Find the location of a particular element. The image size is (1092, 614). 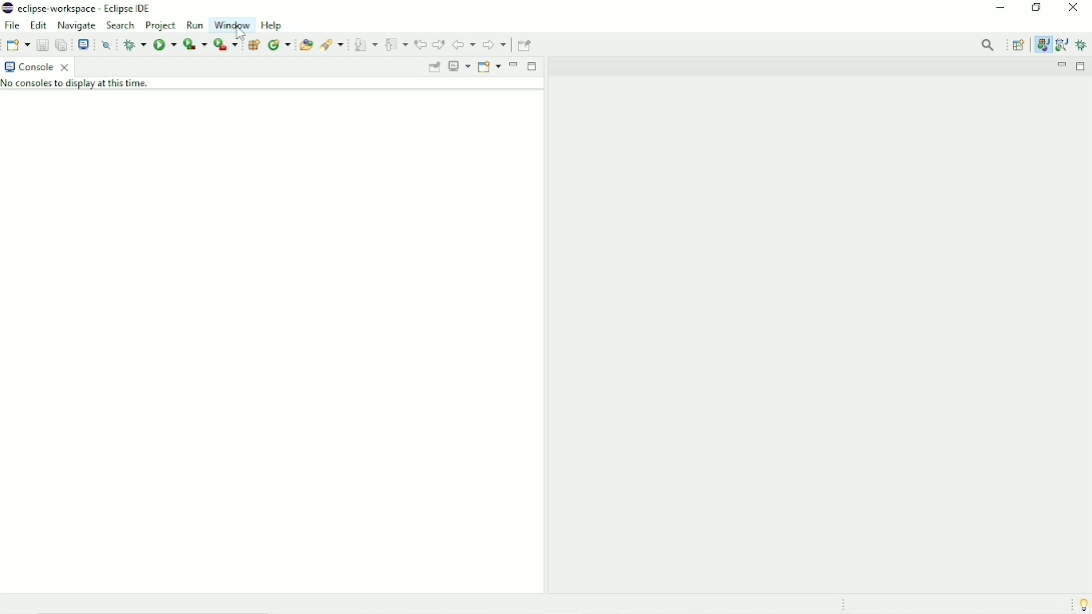

Run last tool is located at coordinates (225, 45).